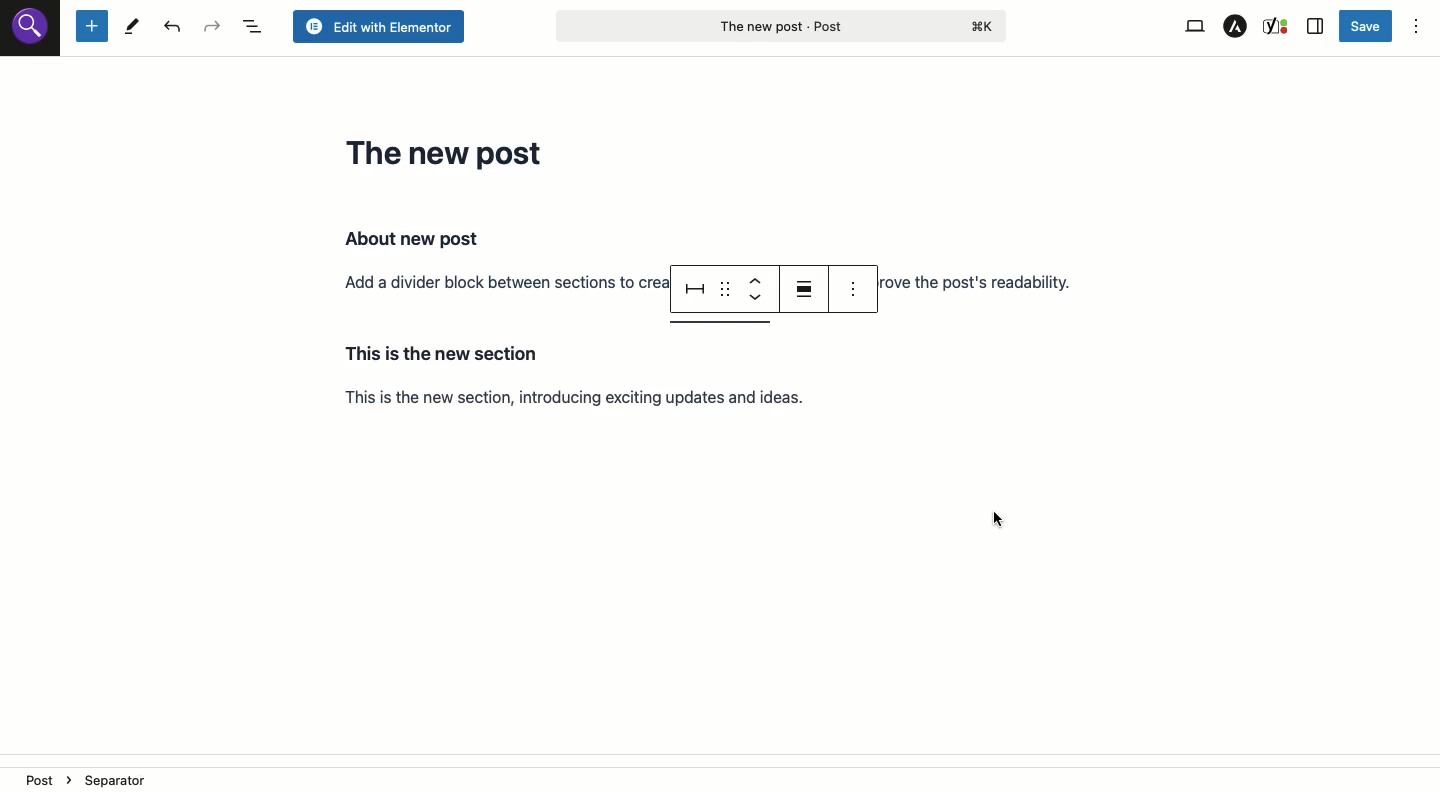 Image resolution: width=1440 pixels, height=792 pixels. What do you see at coordinates (1367, 25) in the screenshot?
I see `Save` at bounding box center [1367, 25].